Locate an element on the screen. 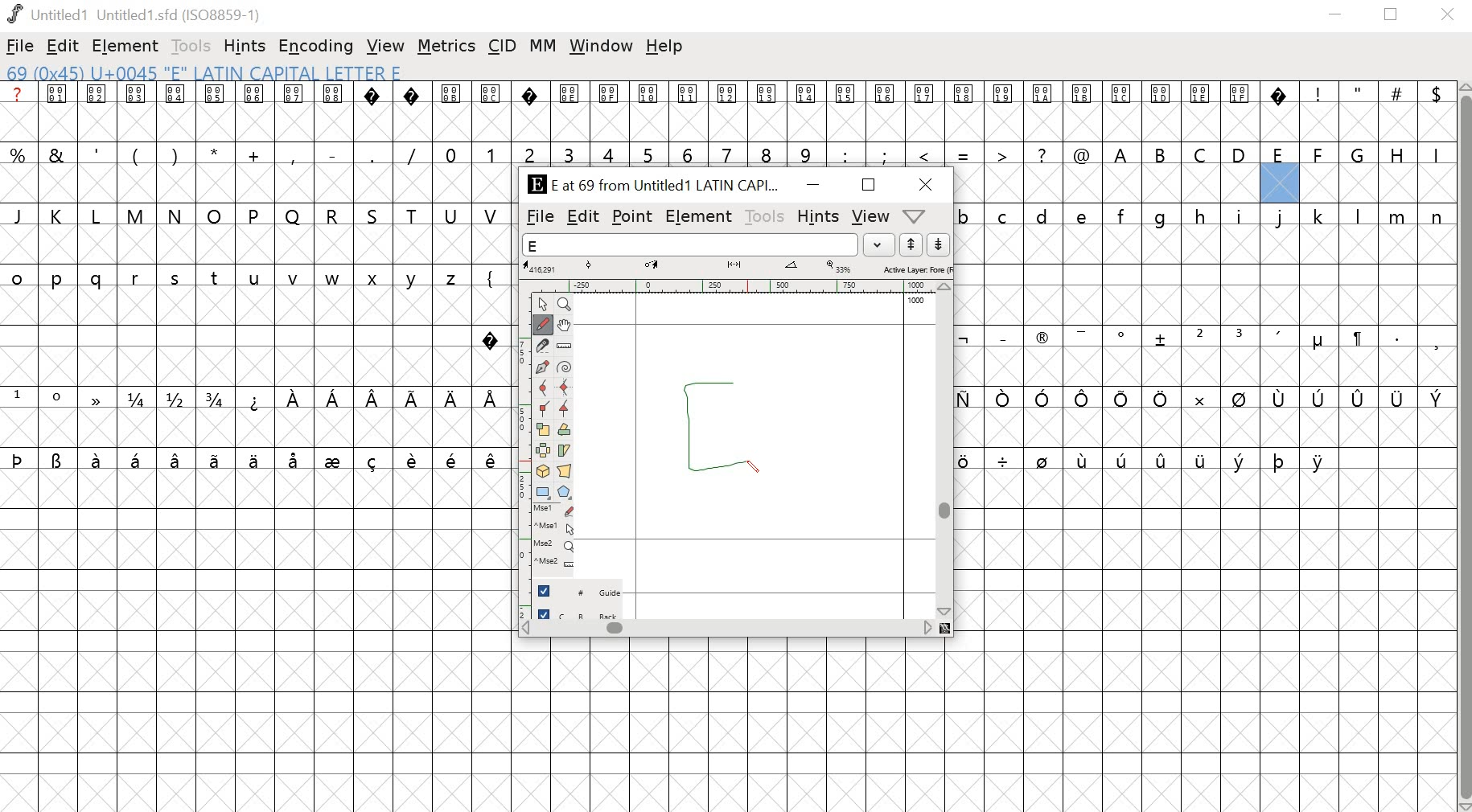  lowercase alphabets is located at coordinates (1201, 214).